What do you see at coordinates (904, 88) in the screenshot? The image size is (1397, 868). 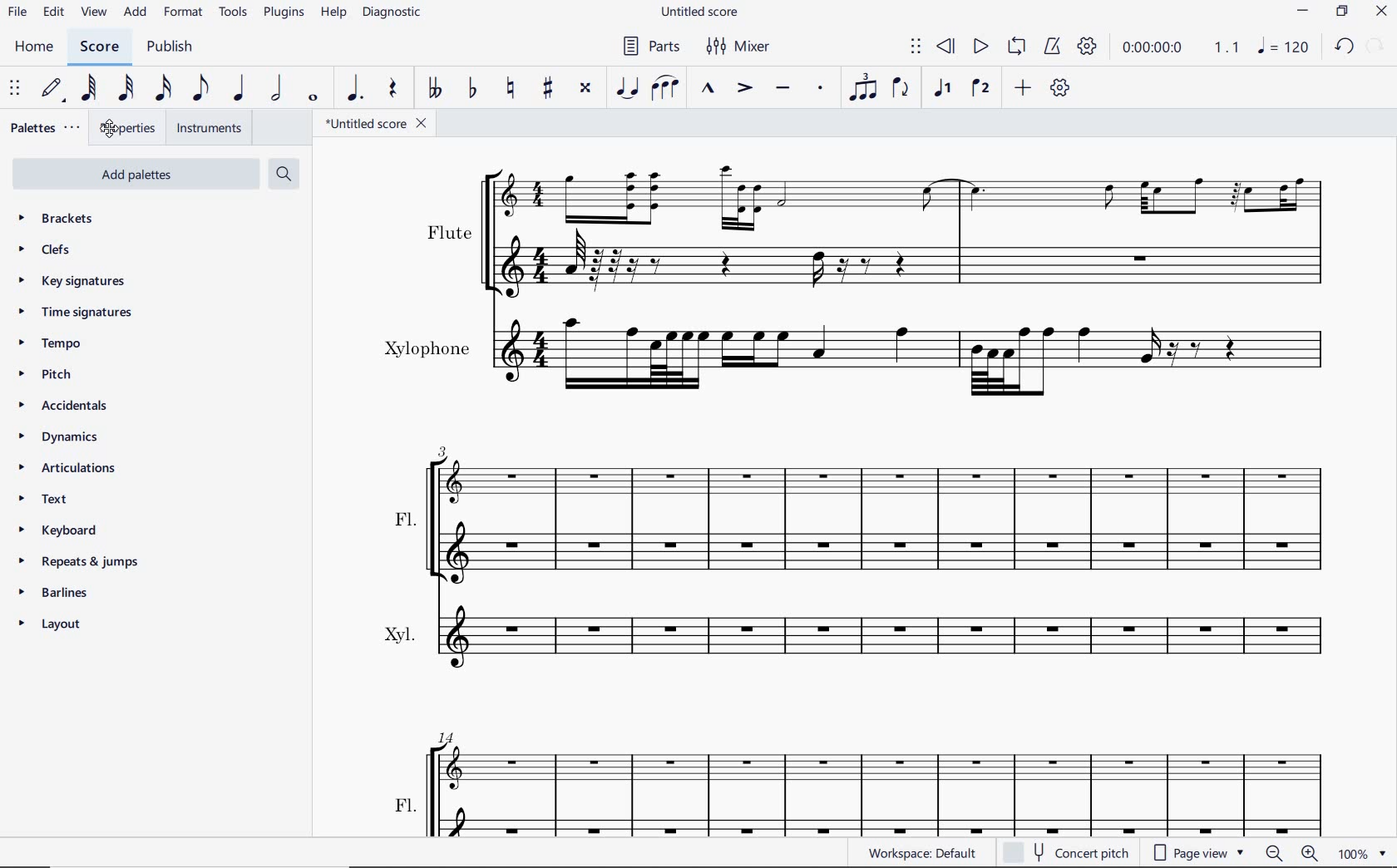 I see `FLIP DIRECTION` at bounding box center [904, 88].